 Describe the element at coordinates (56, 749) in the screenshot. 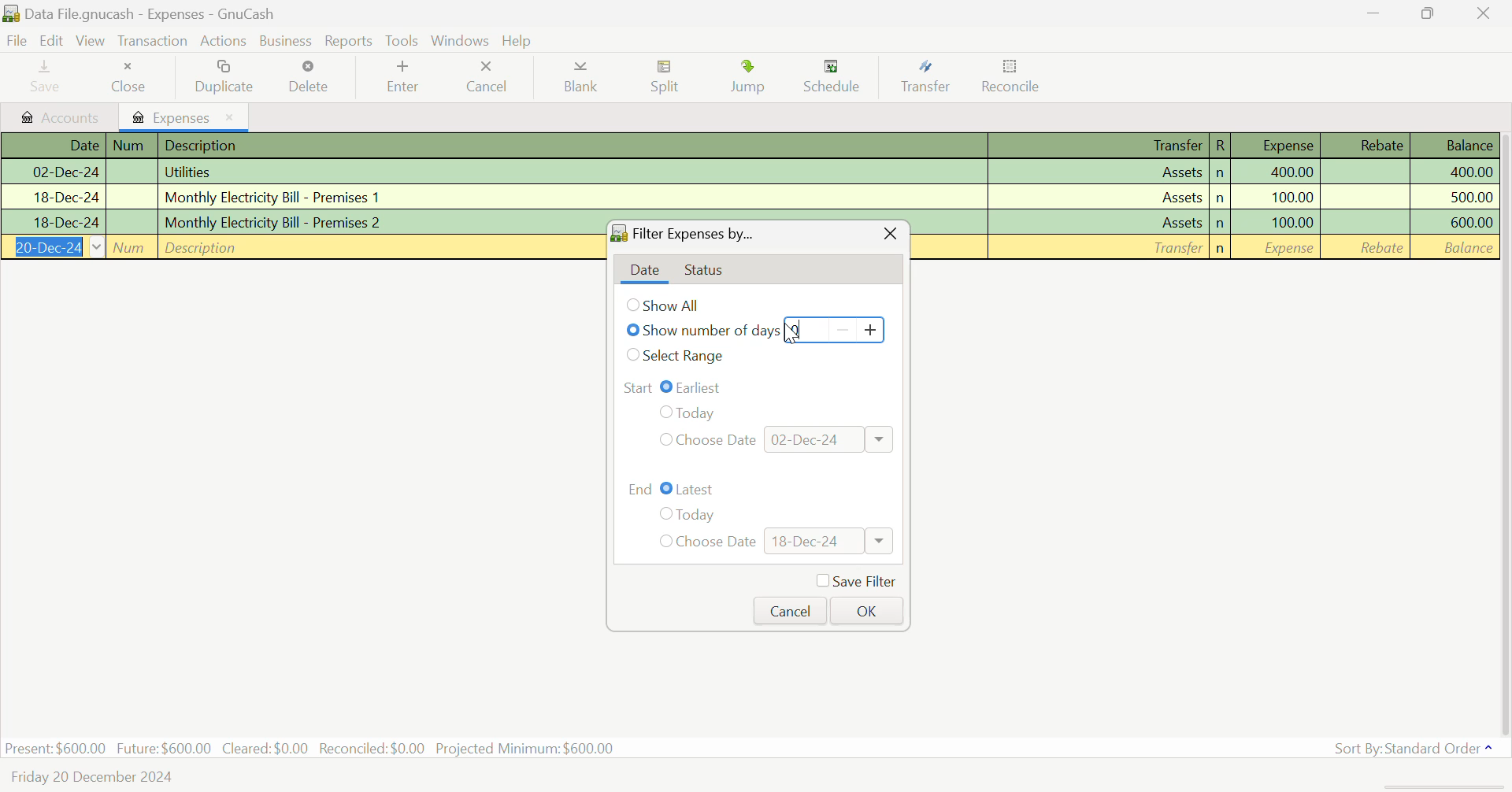

I see `Present` at that location.